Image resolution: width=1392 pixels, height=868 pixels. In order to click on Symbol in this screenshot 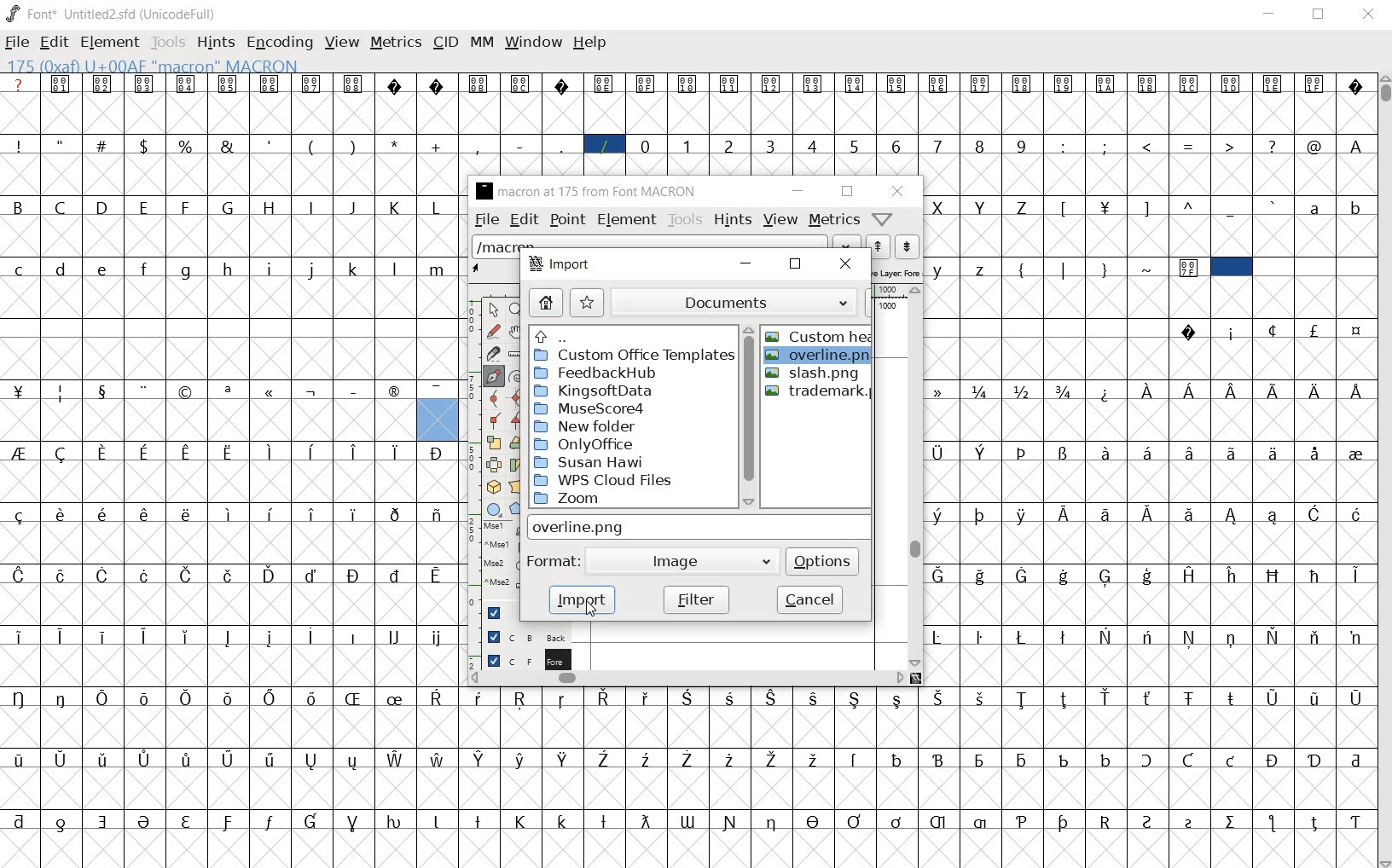, I will do `click(439, 758)`.